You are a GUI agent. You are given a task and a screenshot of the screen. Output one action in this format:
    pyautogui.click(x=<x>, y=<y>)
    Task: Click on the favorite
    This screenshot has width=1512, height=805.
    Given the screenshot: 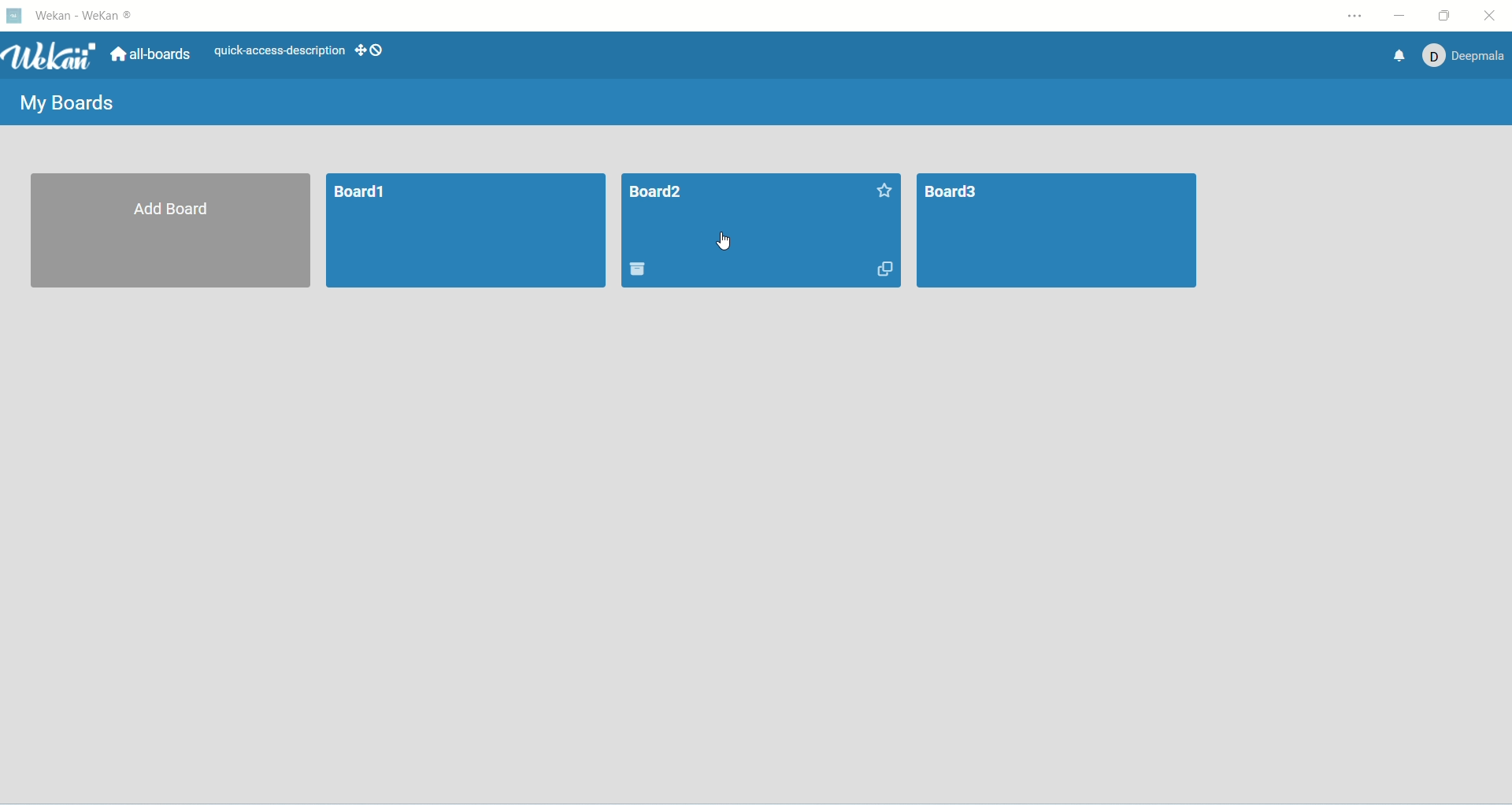 What is the action you would take?
    pyautogui.click(x=882, y=190)
    